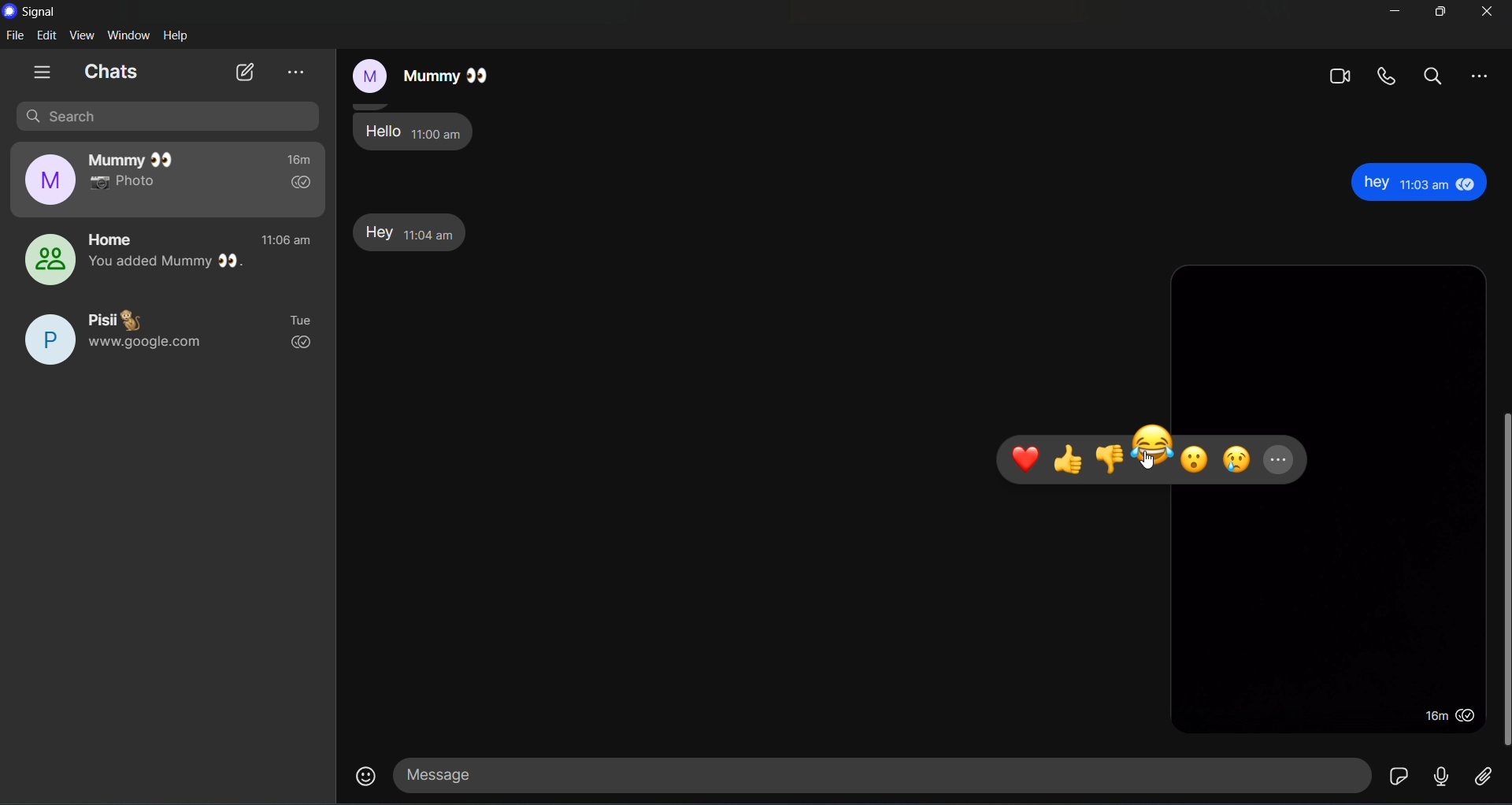 This screenshot has width=1512, height=805. Describe the element at coordinates (42, 72) in the screenshot. I see `show tabs` at that location.